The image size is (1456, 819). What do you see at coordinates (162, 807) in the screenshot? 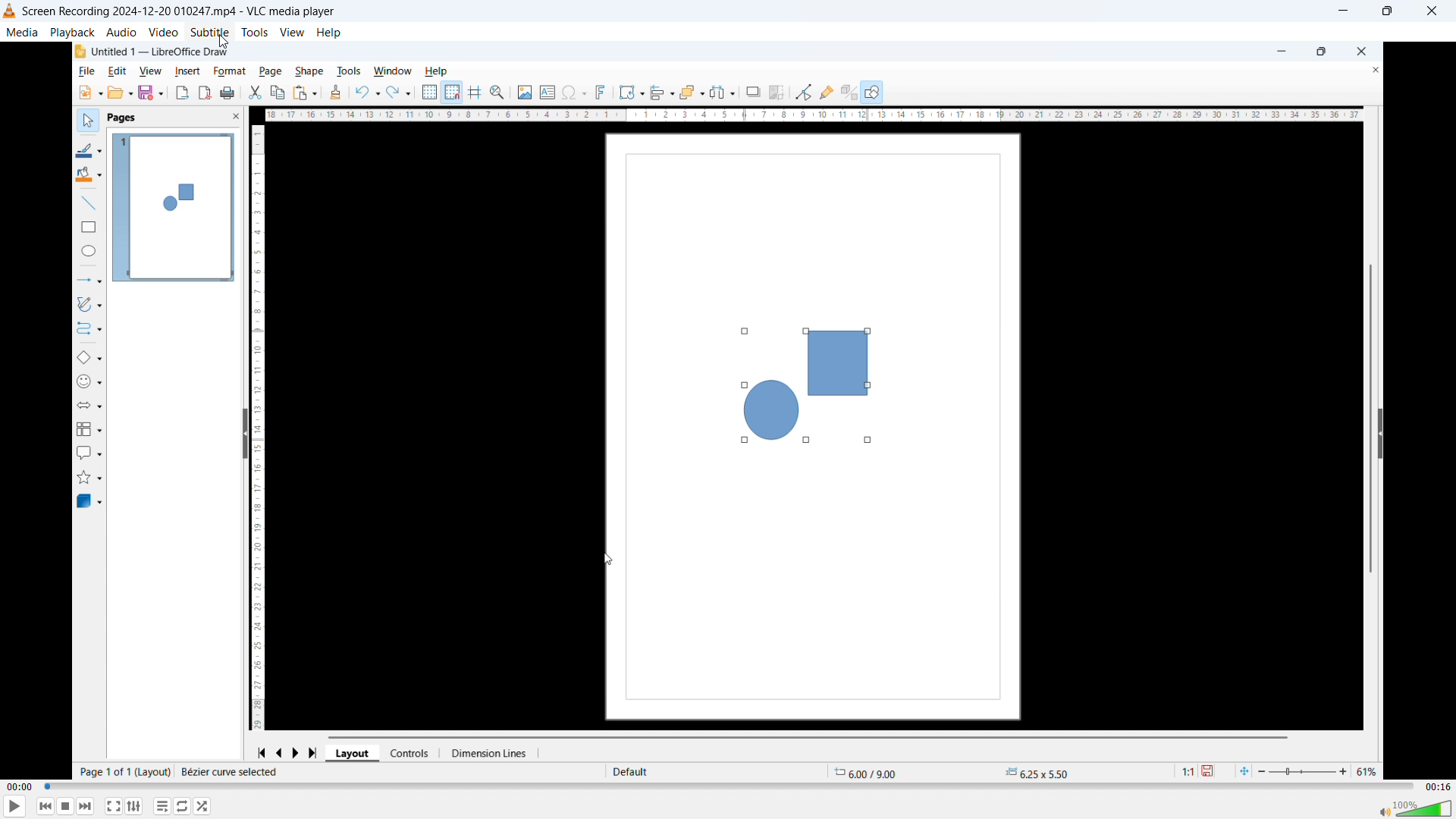
I see `Toggle playlist ` at bounding box center [162, 807].